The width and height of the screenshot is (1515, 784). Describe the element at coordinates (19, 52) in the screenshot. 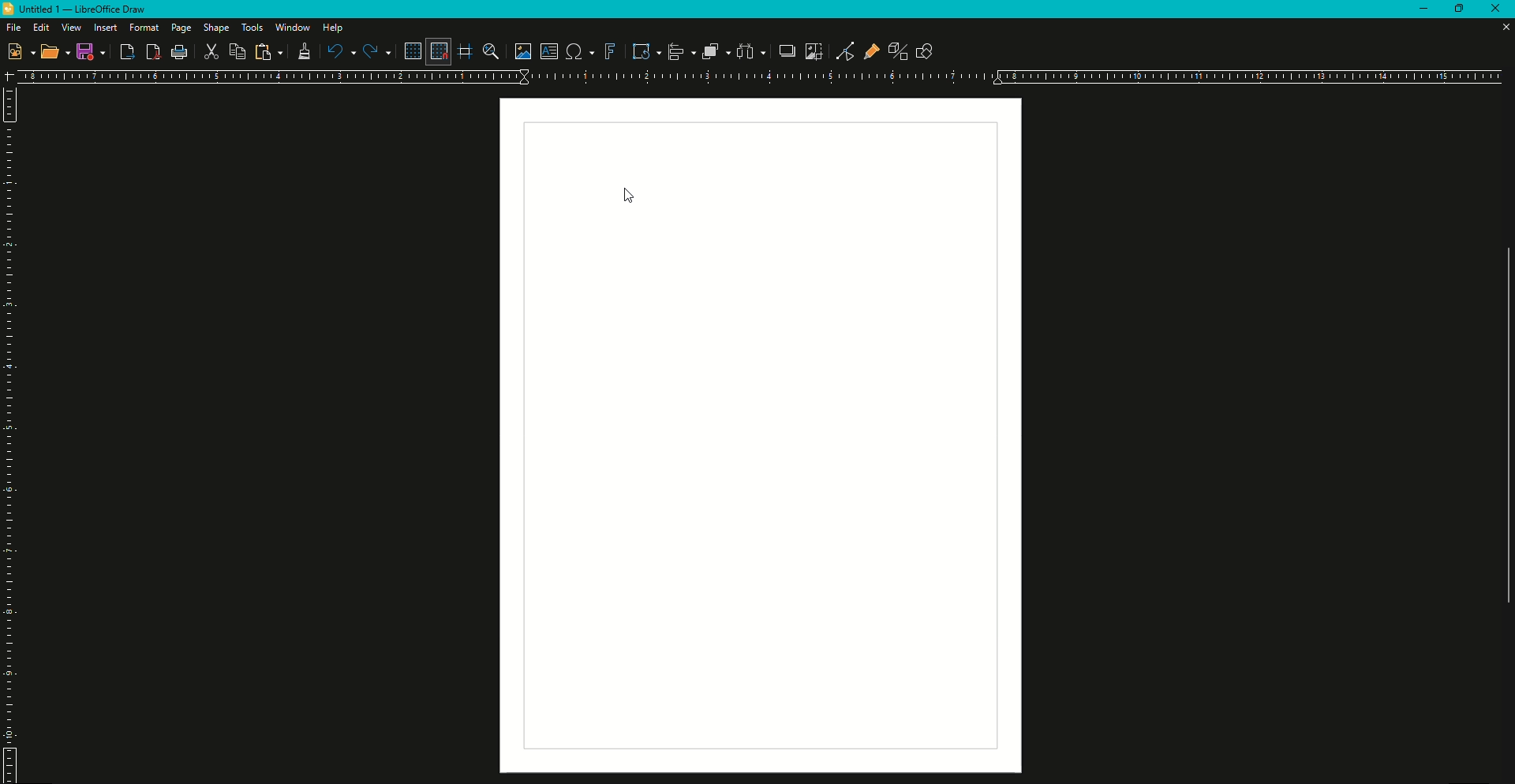

I see `New` at that location.